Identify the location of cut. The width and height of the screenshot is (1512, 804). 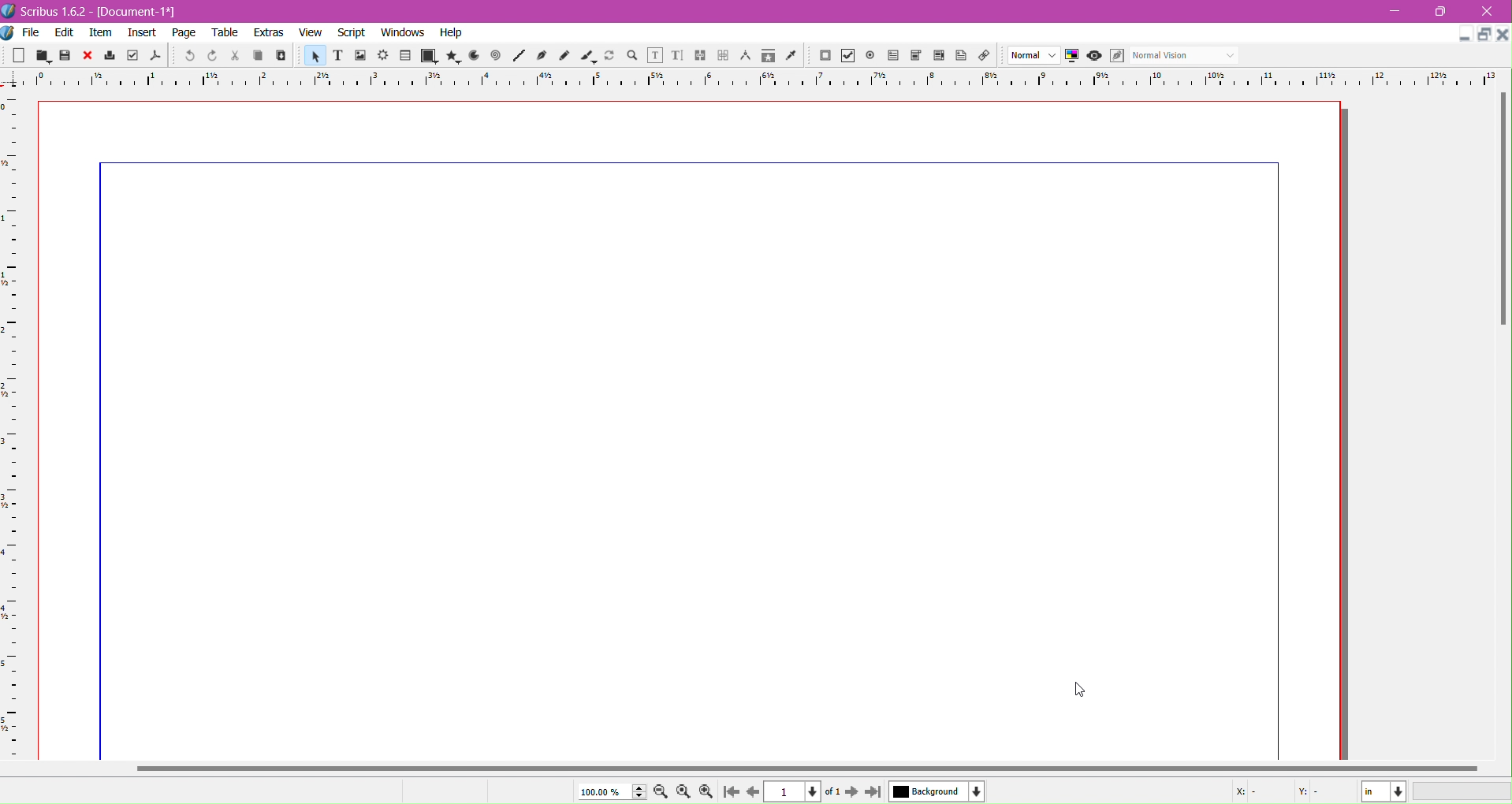
(233, 57).